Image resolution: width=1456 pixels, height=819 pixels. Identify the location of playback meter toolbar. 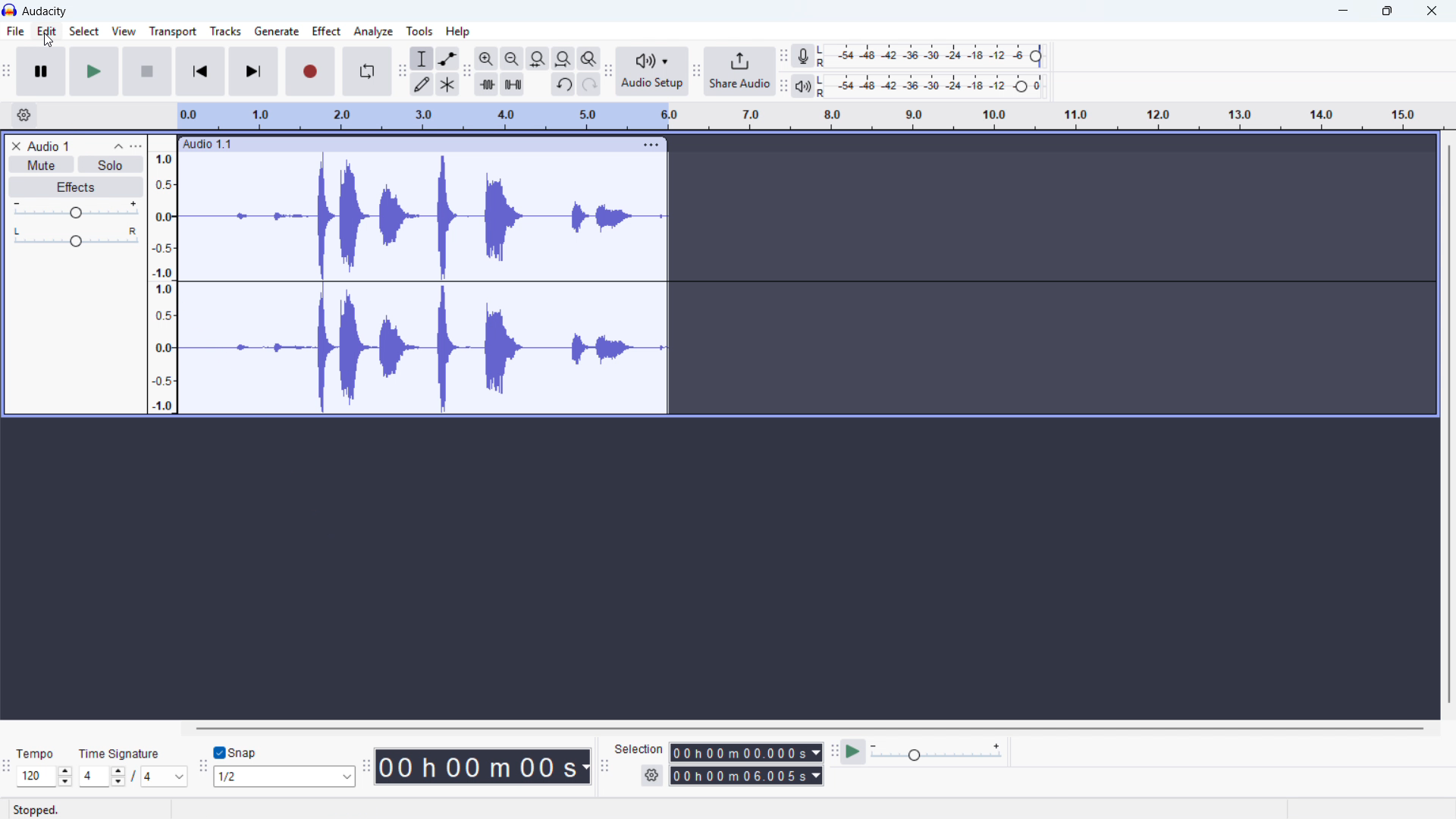
(783, 86).